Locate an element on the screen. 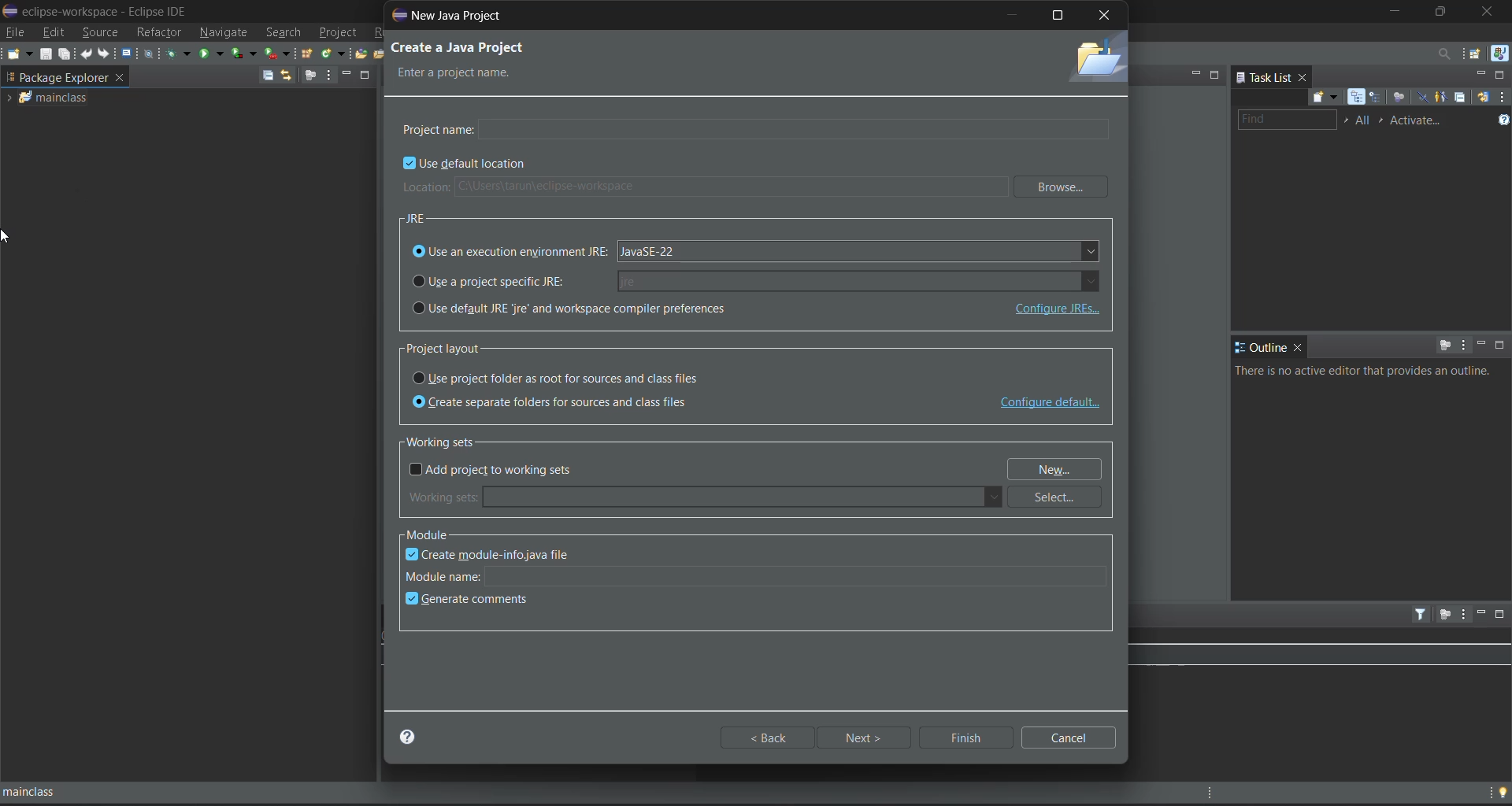 This screenshot has height=806, width=1512. select working set is located at coordinates (1346, 120).